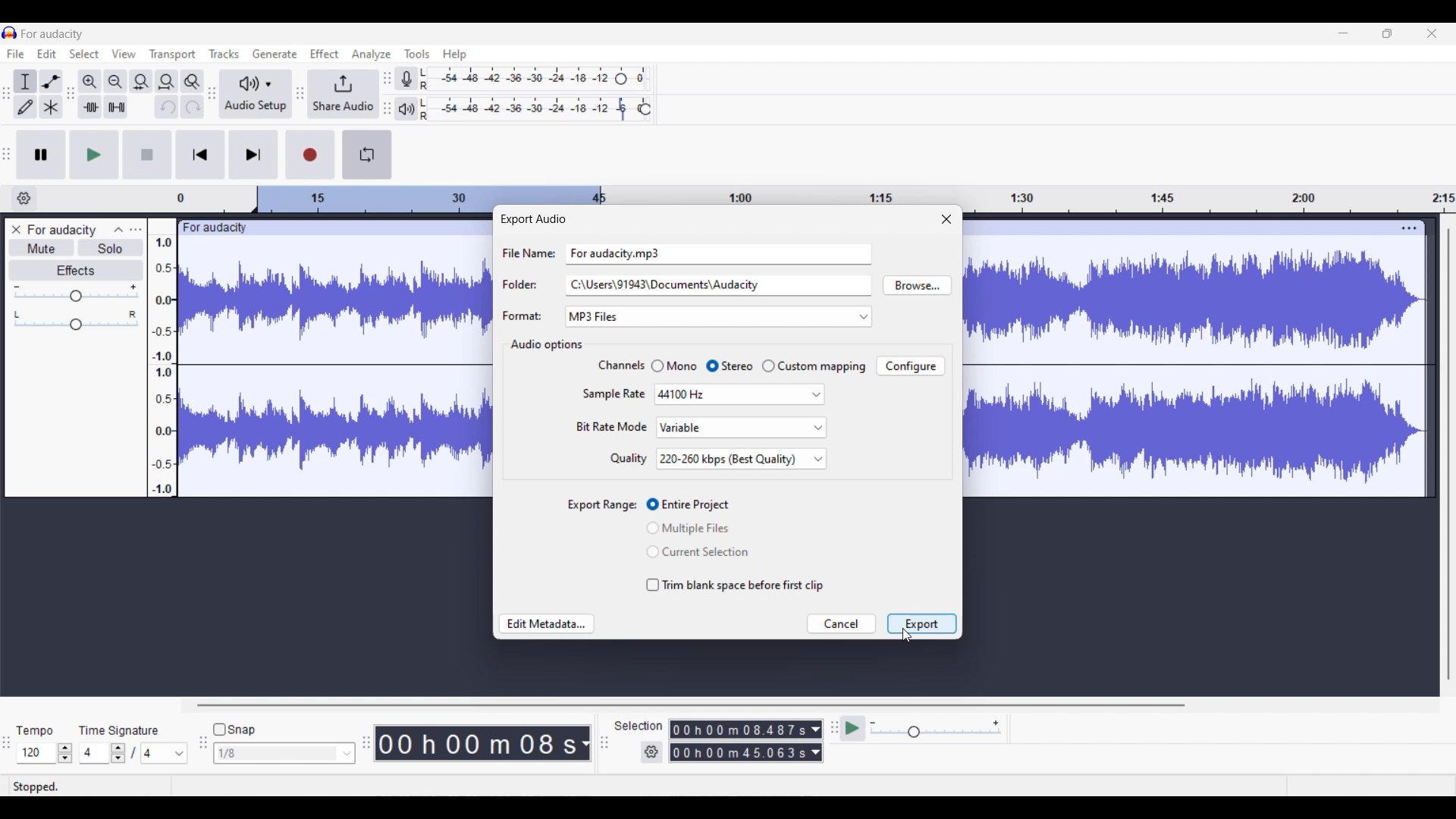 This screenshot has width=1456, height=819. I want to click on Window title, so click(532, 219).